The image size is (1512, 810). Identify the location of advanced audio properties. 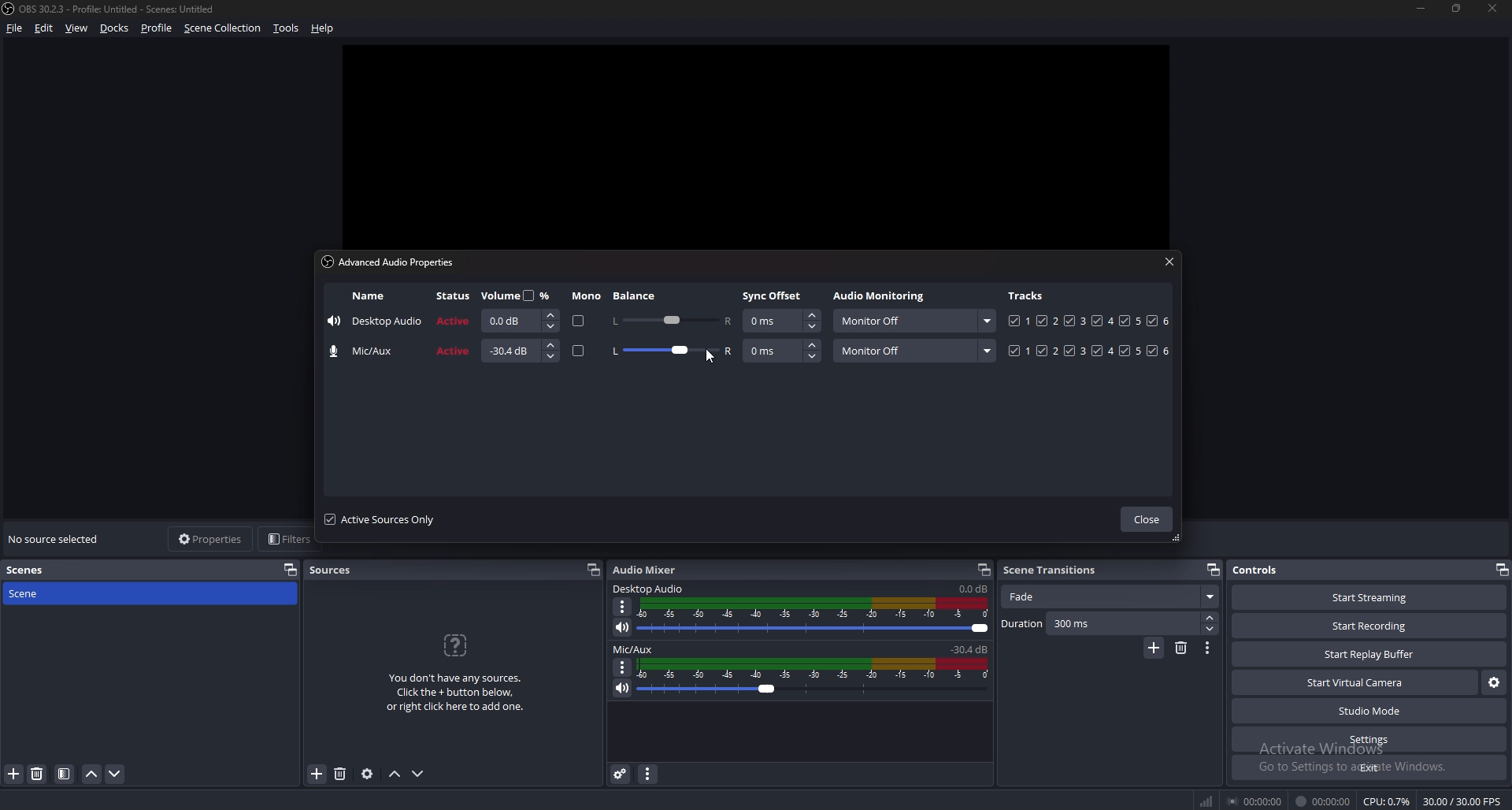
(621, 774).